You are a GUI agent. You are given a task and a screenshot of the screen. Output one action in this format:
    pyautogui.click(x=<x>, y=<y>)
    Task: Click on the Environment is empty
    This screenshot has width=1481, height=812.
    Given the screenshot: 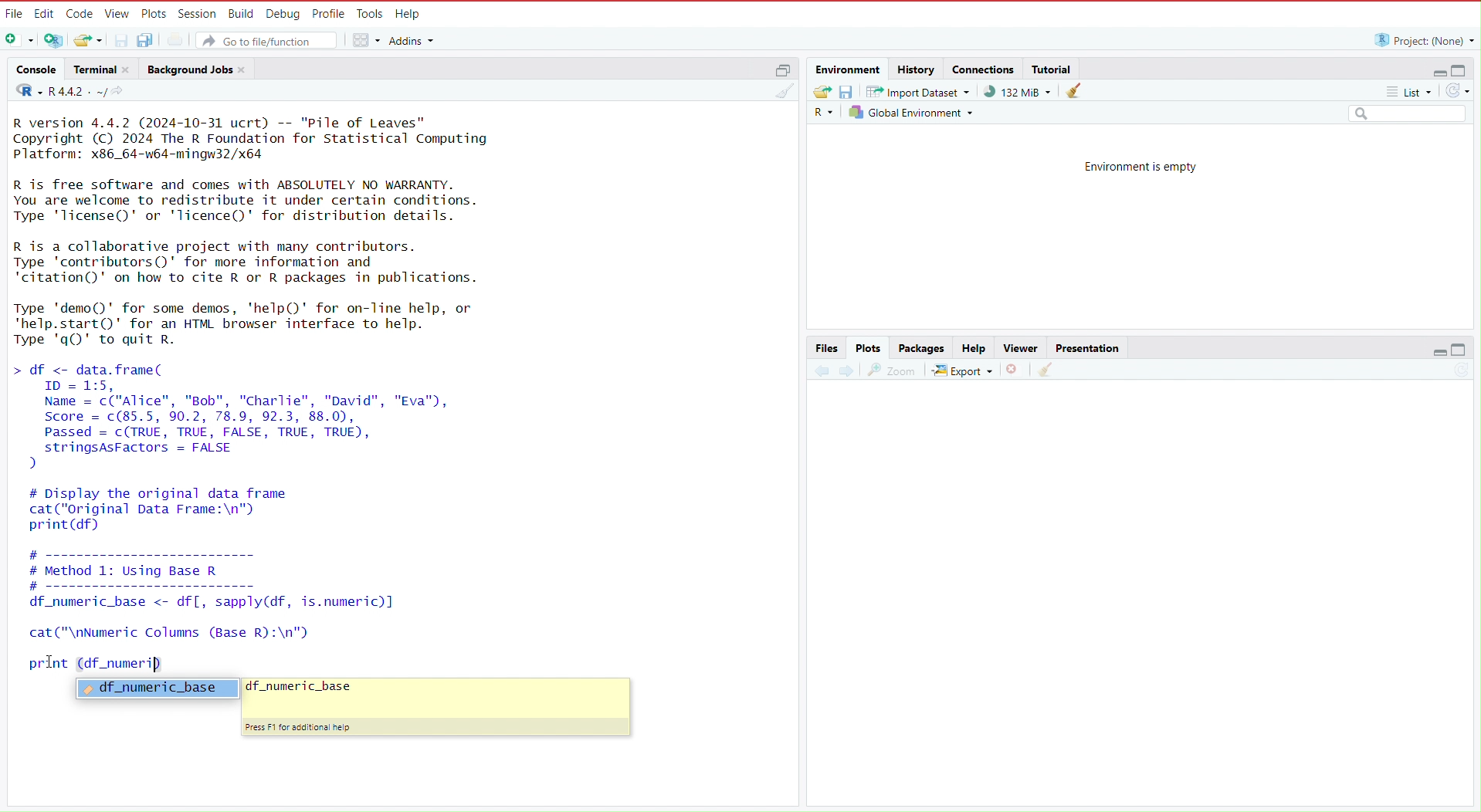 What is the action you would take?
    pyautogui.click(x=1140, y=169)
    